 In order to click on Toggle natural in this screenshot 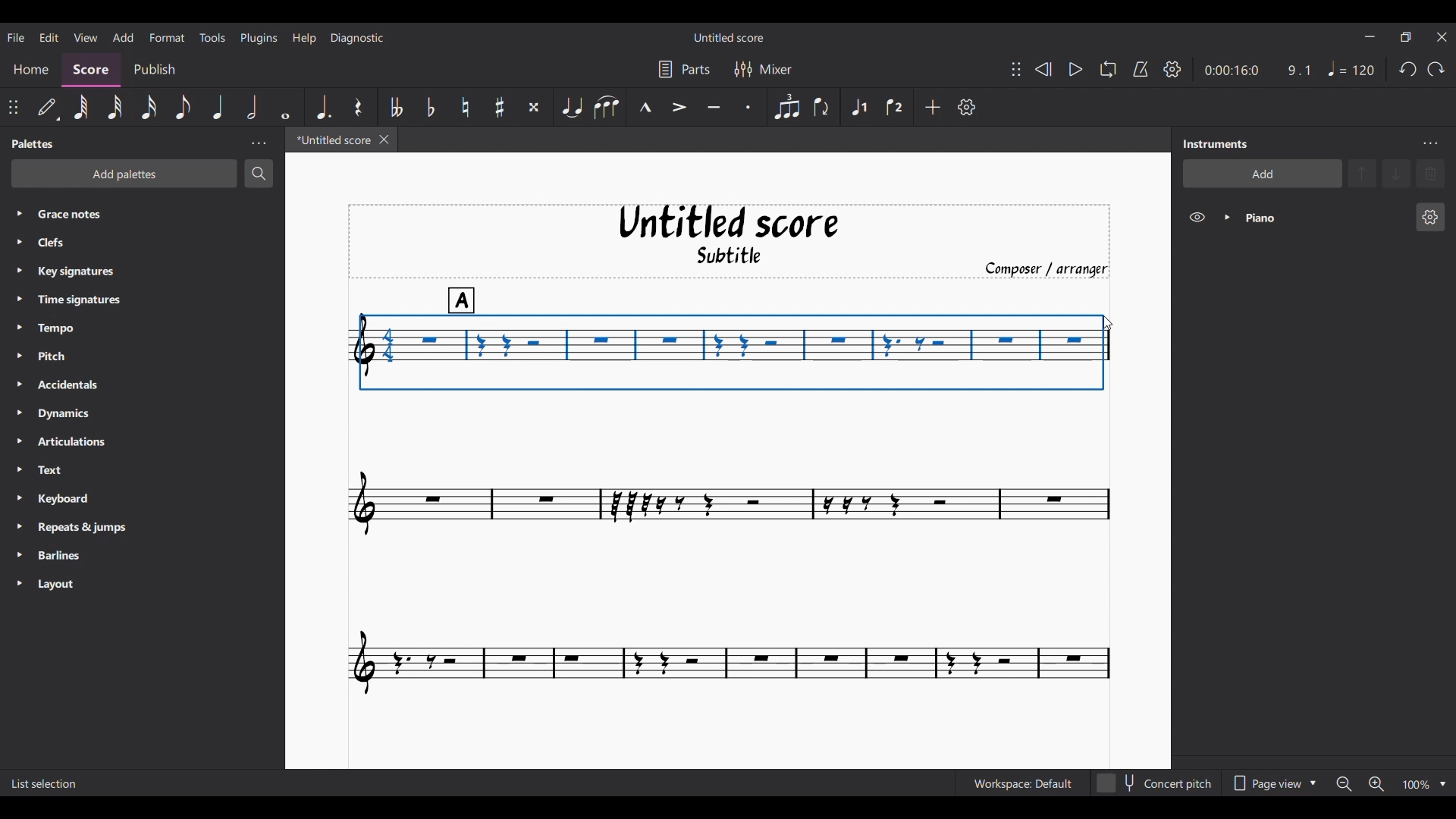, I will do `click(465, 107)`.